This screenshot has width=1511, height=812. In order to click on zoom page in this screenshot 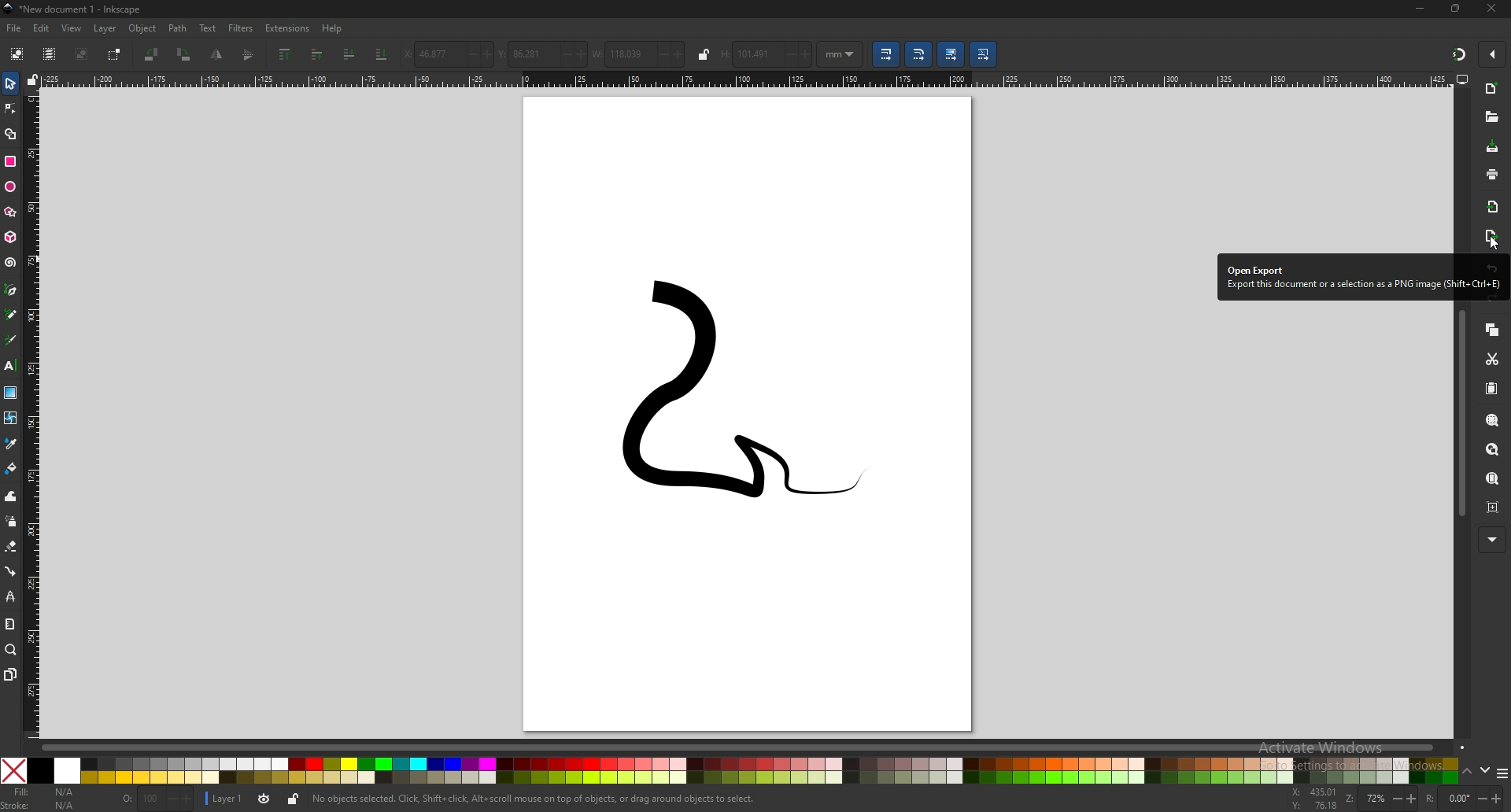, I will do `click(1494, 480)`.